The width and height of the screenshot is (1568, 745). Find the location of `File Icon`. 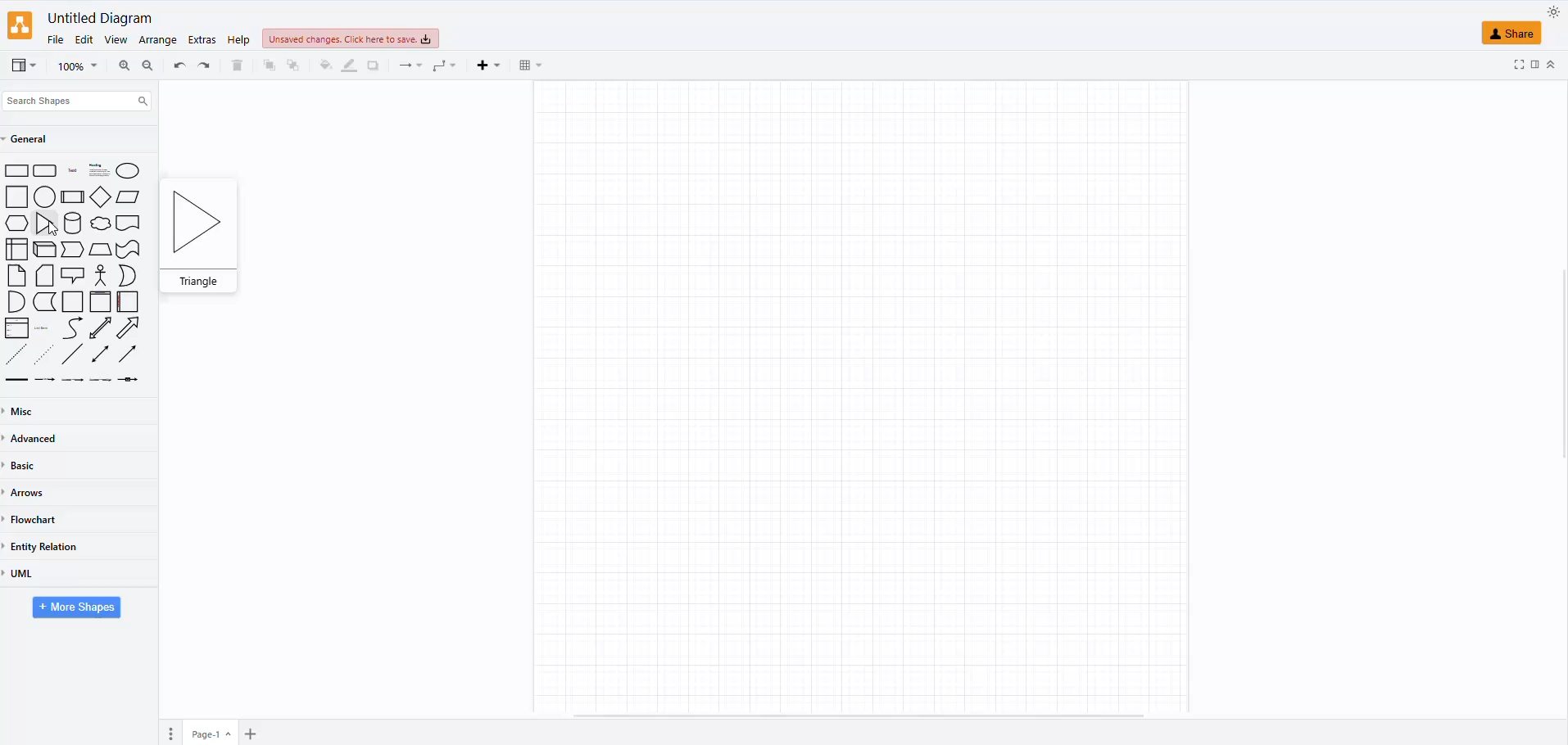

File Icon is located at coordinates (17, 276).